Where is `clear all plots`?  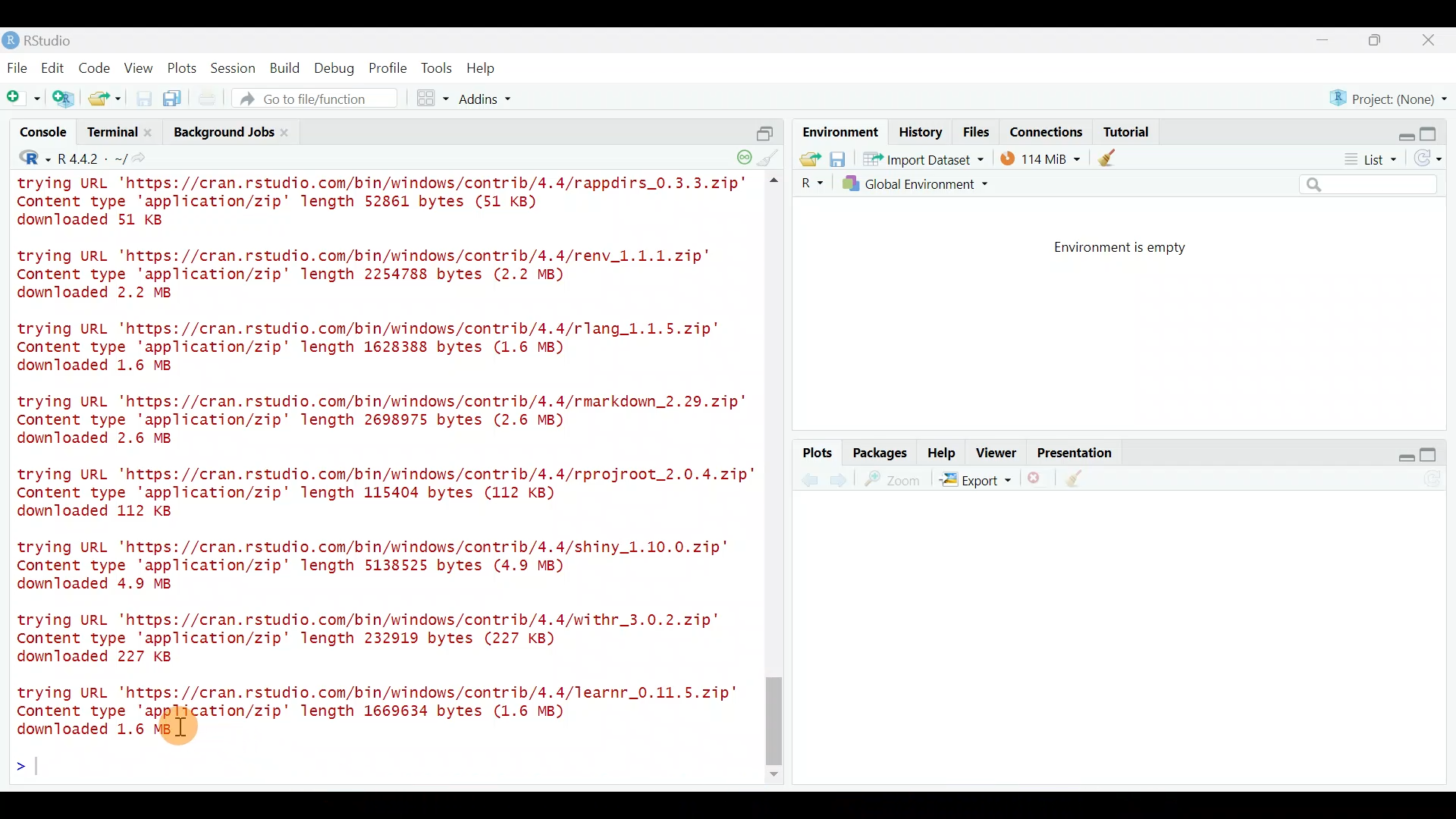
clear all plots is located at coordinates (1083, 481).